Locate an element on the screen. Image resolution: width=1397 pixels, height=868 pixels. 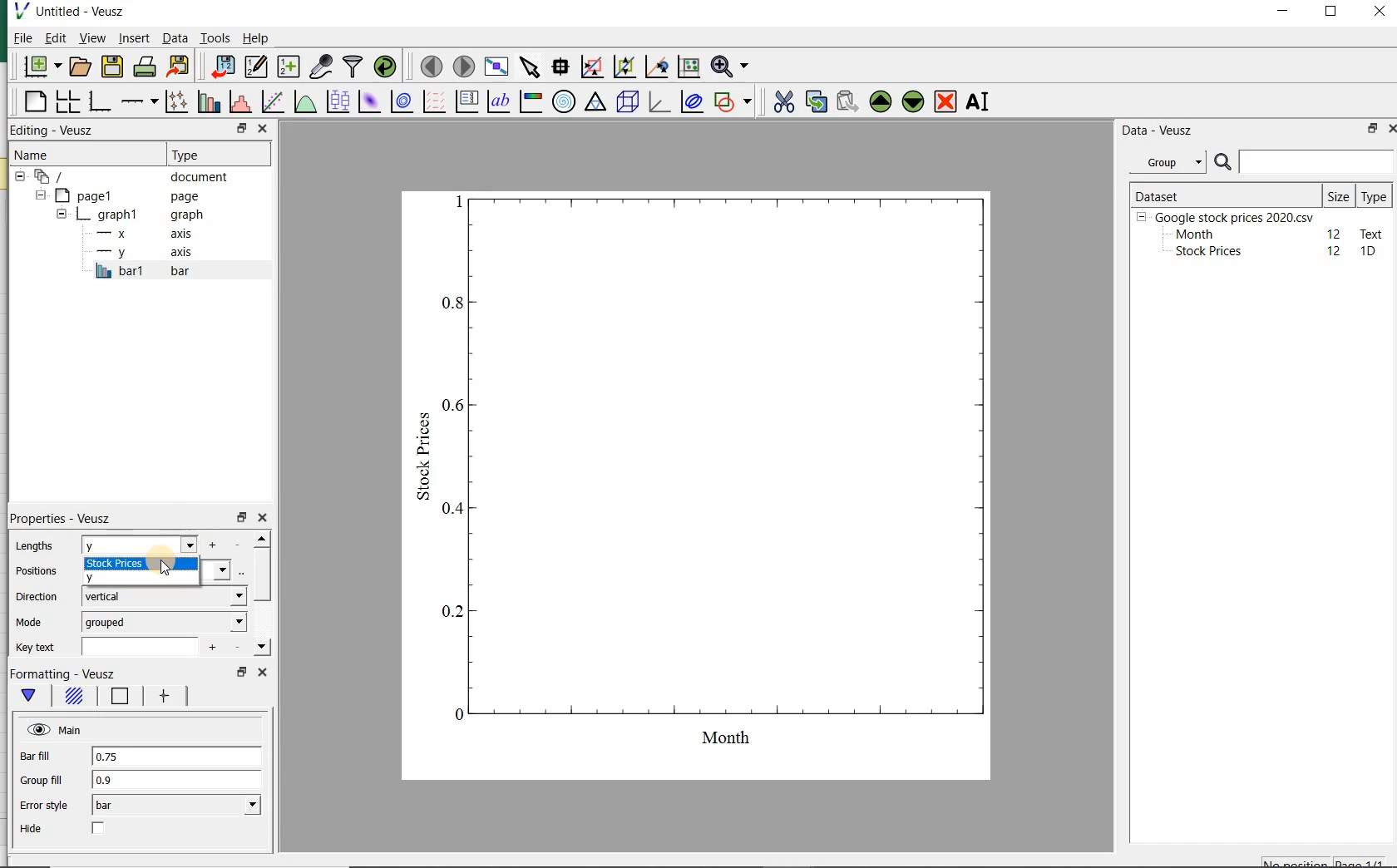
blank page is located at coordinates (34, 104).